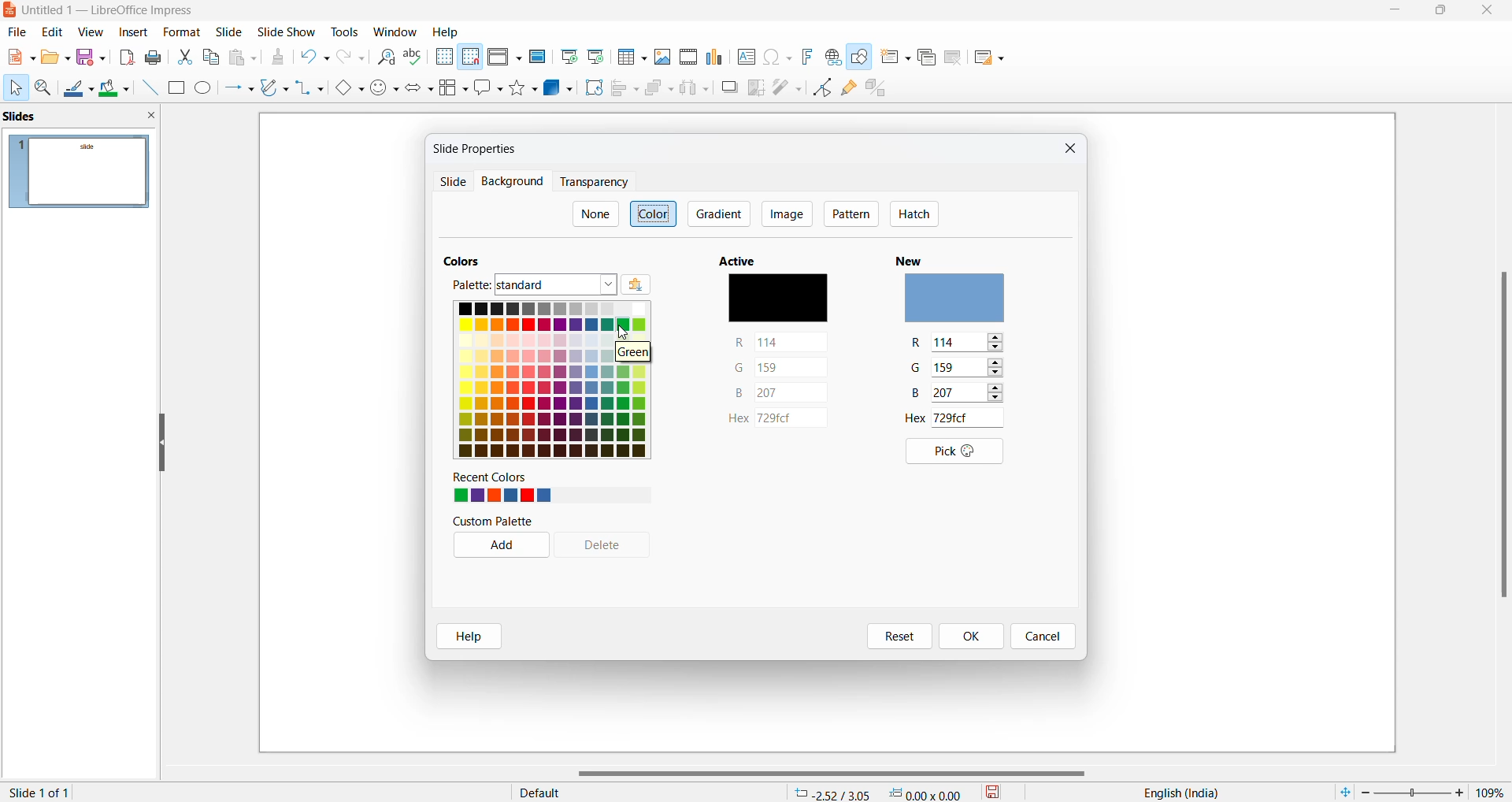 This screenshot has height=802, width=1512. What do you see at coordinates (782, 342) in the screenshot?
I see `red` at bounding box center [782, 342].